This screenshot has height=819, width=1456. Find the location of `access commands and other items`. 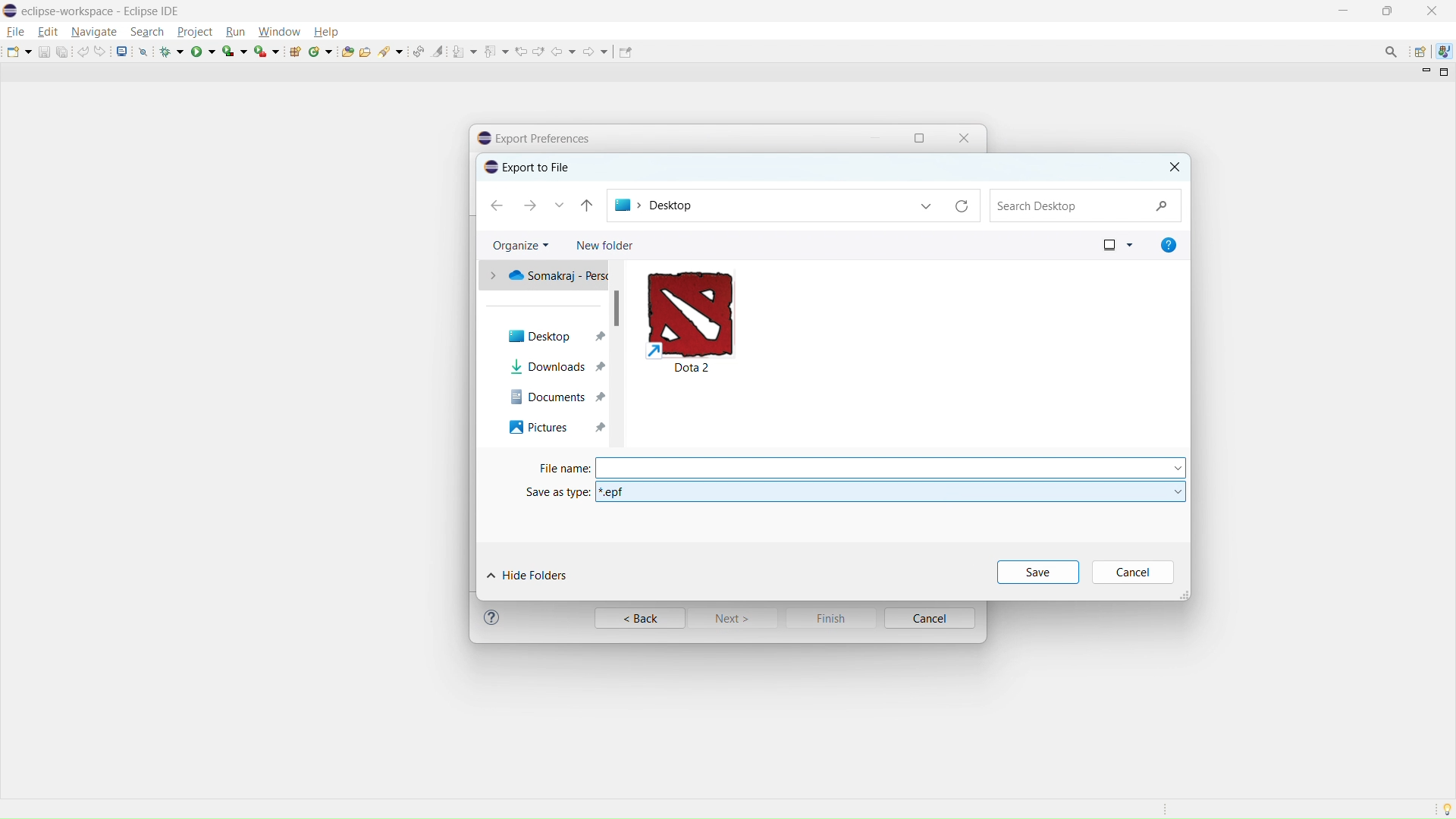

access commands and other items is located at coordinates (1392, 51).